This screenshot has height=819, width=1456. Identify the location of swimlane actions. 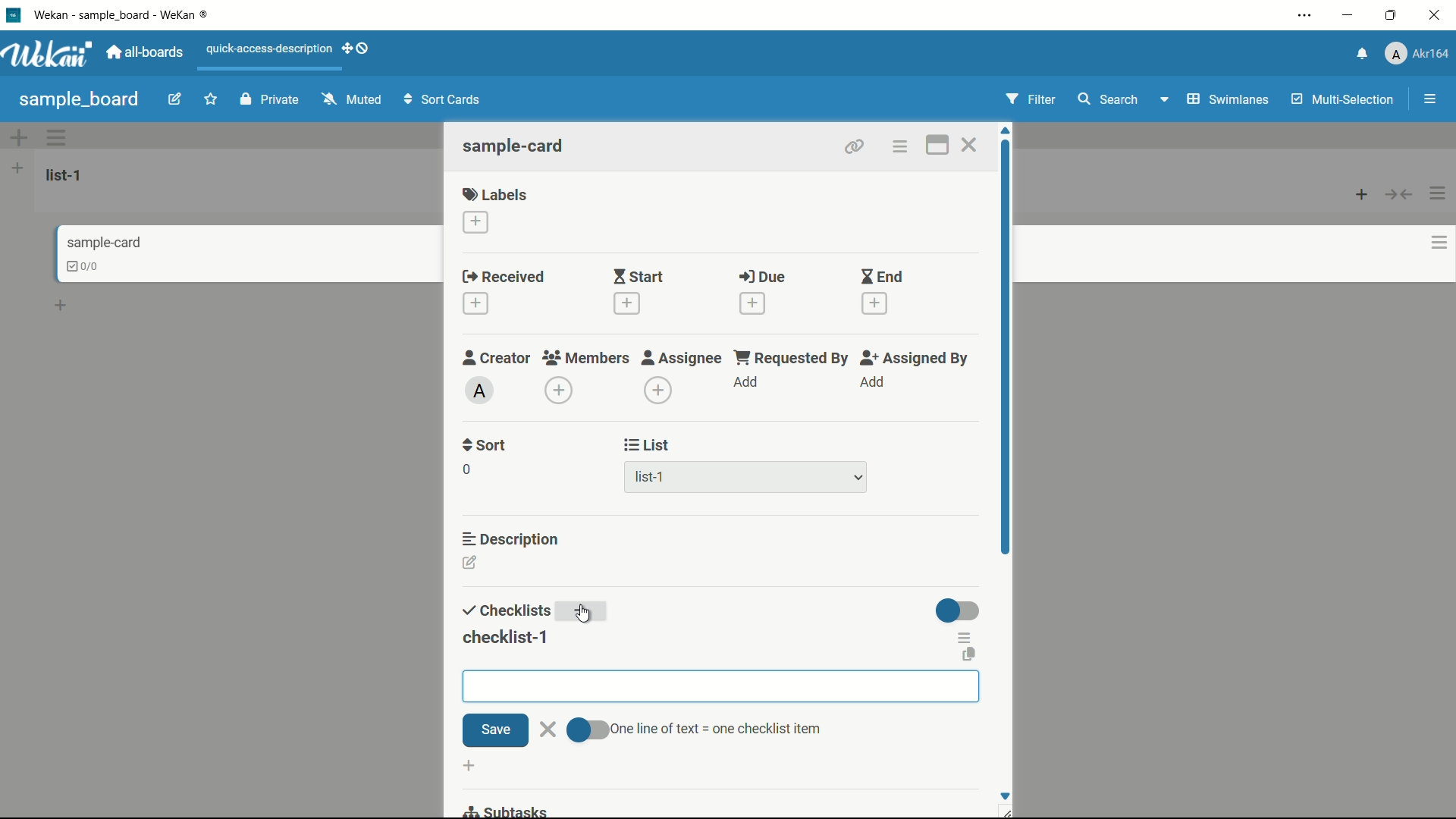
(58, 137).